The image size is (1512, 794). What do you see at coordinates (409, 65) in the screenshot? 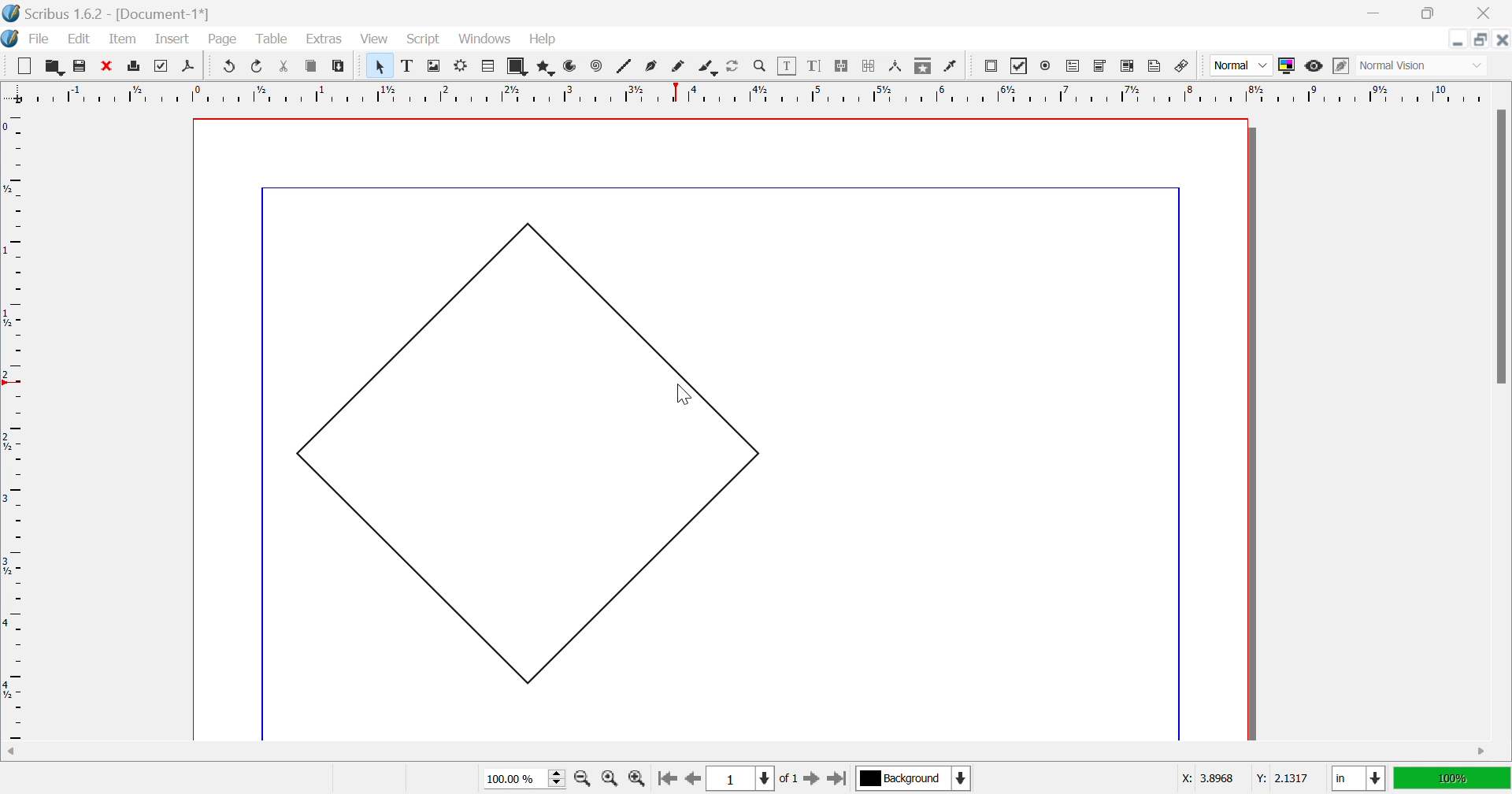
I see `Text frame` at bounding box center [409, 65].